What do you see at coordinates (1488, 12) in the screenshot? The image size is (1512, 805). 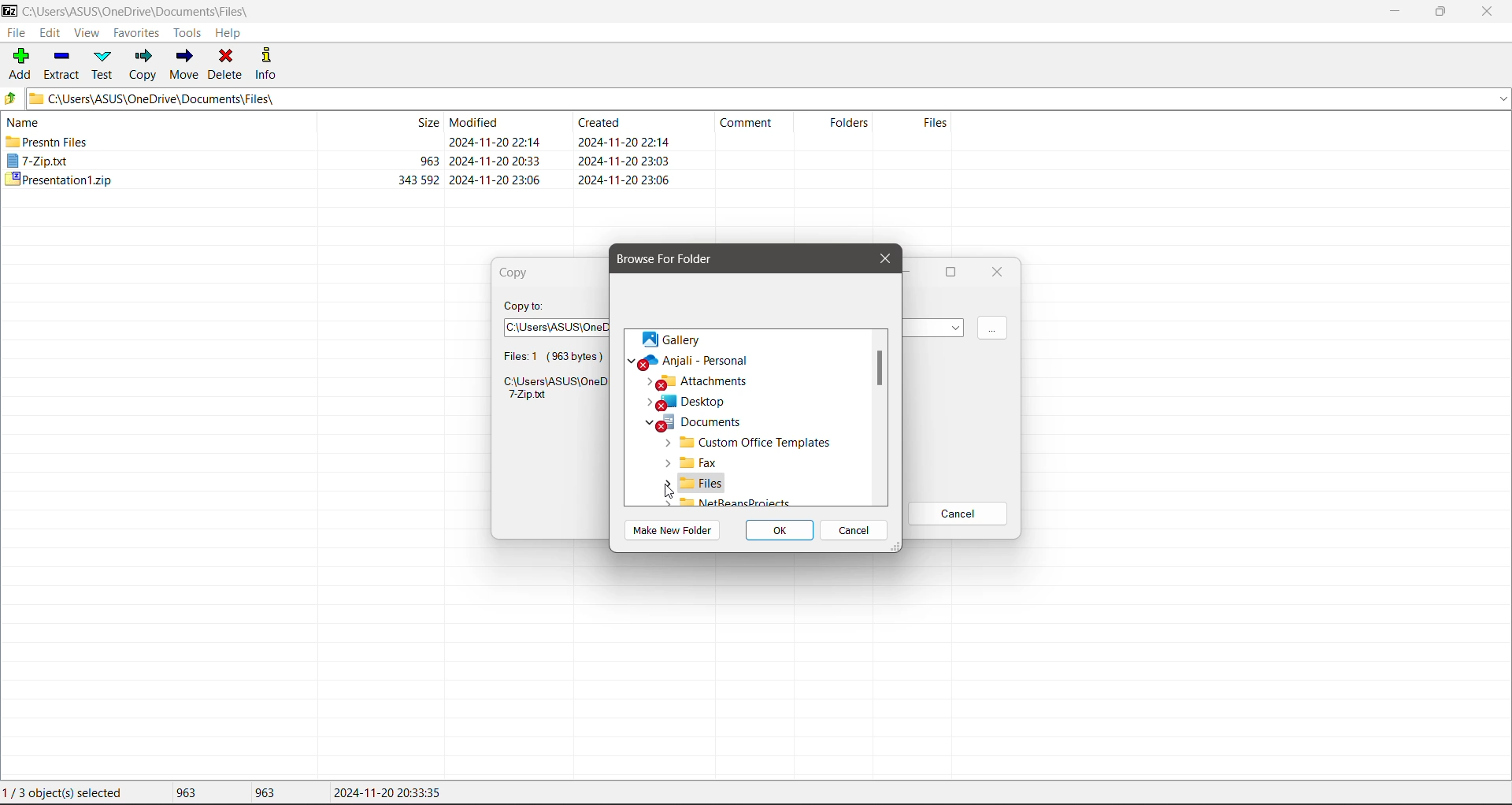 I see `Close` at bounding box center [1488, 12].